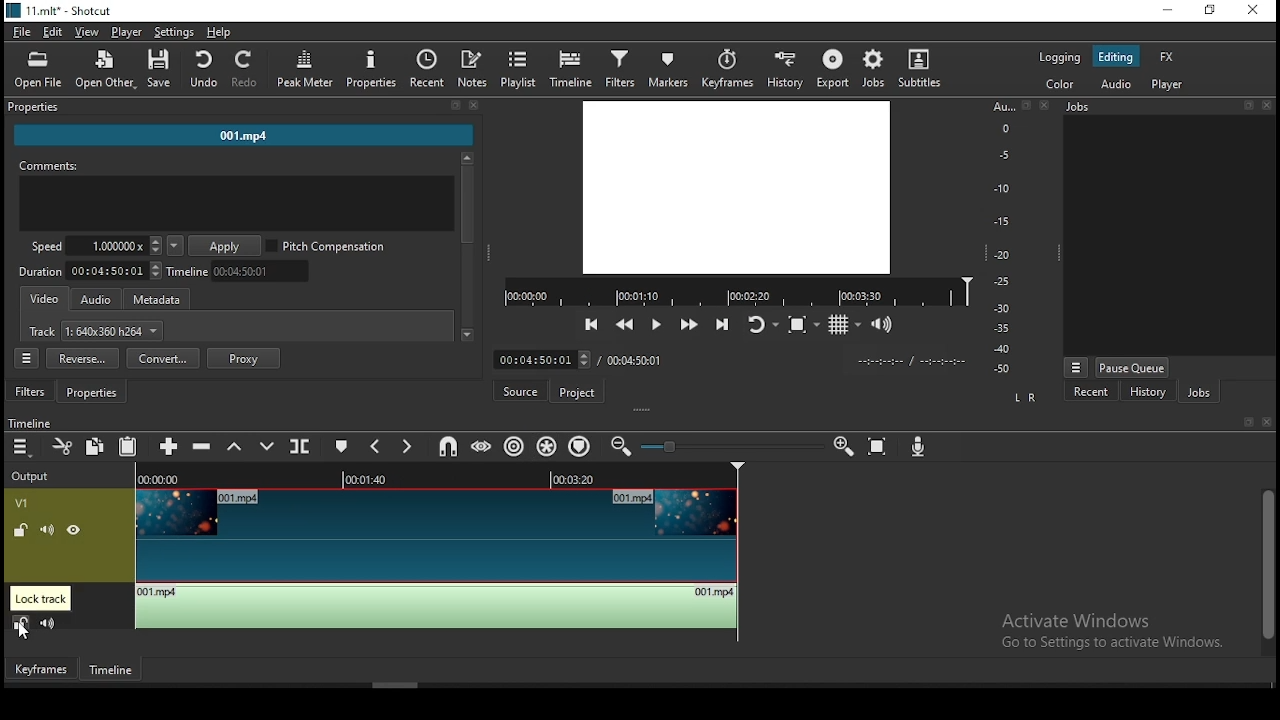 The image size is (1280, 720). What do you see at coordinates (671, 71) in the screenshot?
I see `markers` at bounding box center [671, 71].